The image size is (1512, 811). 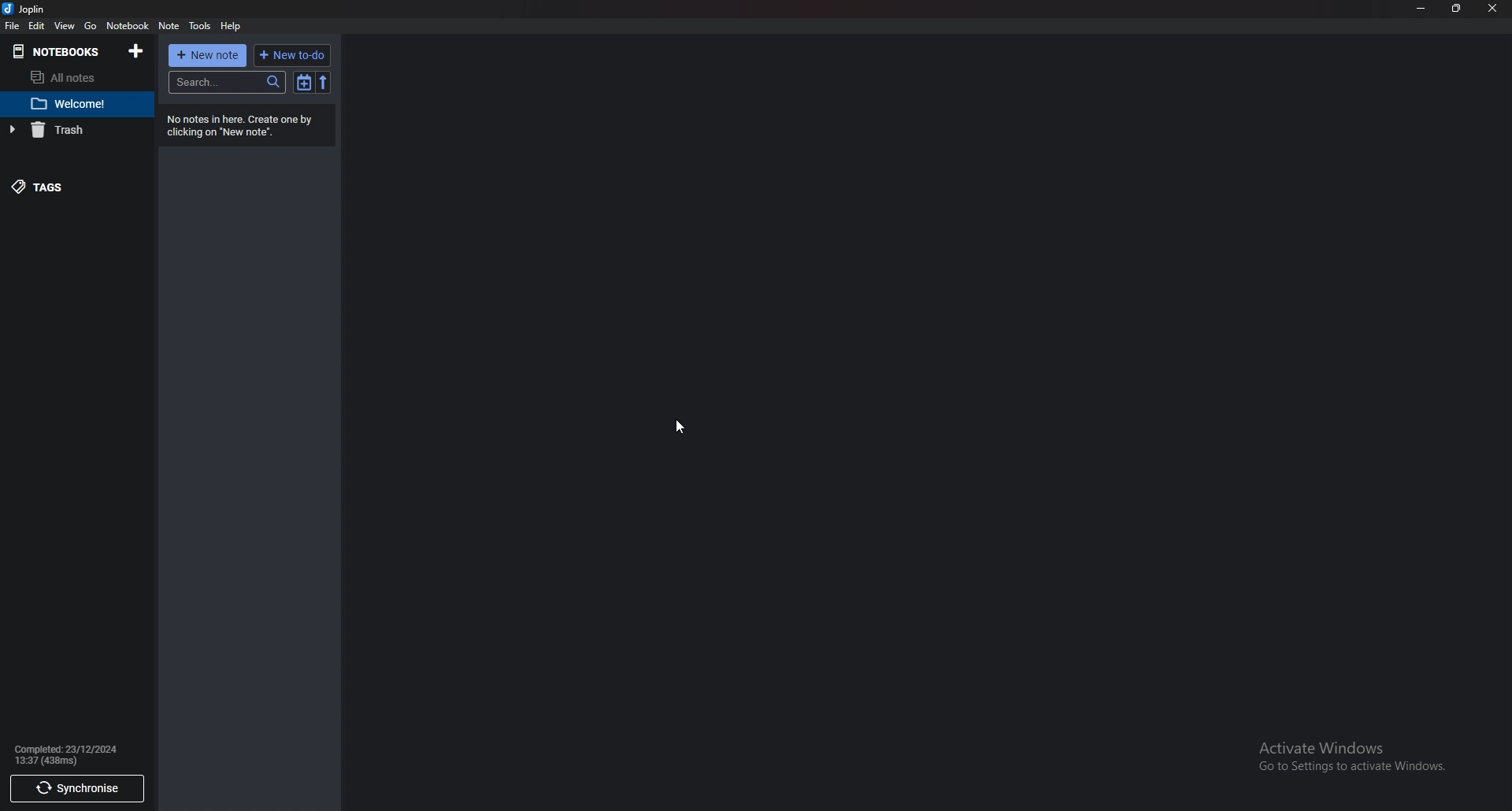 I want to click on search, so click(x=225, y=83).